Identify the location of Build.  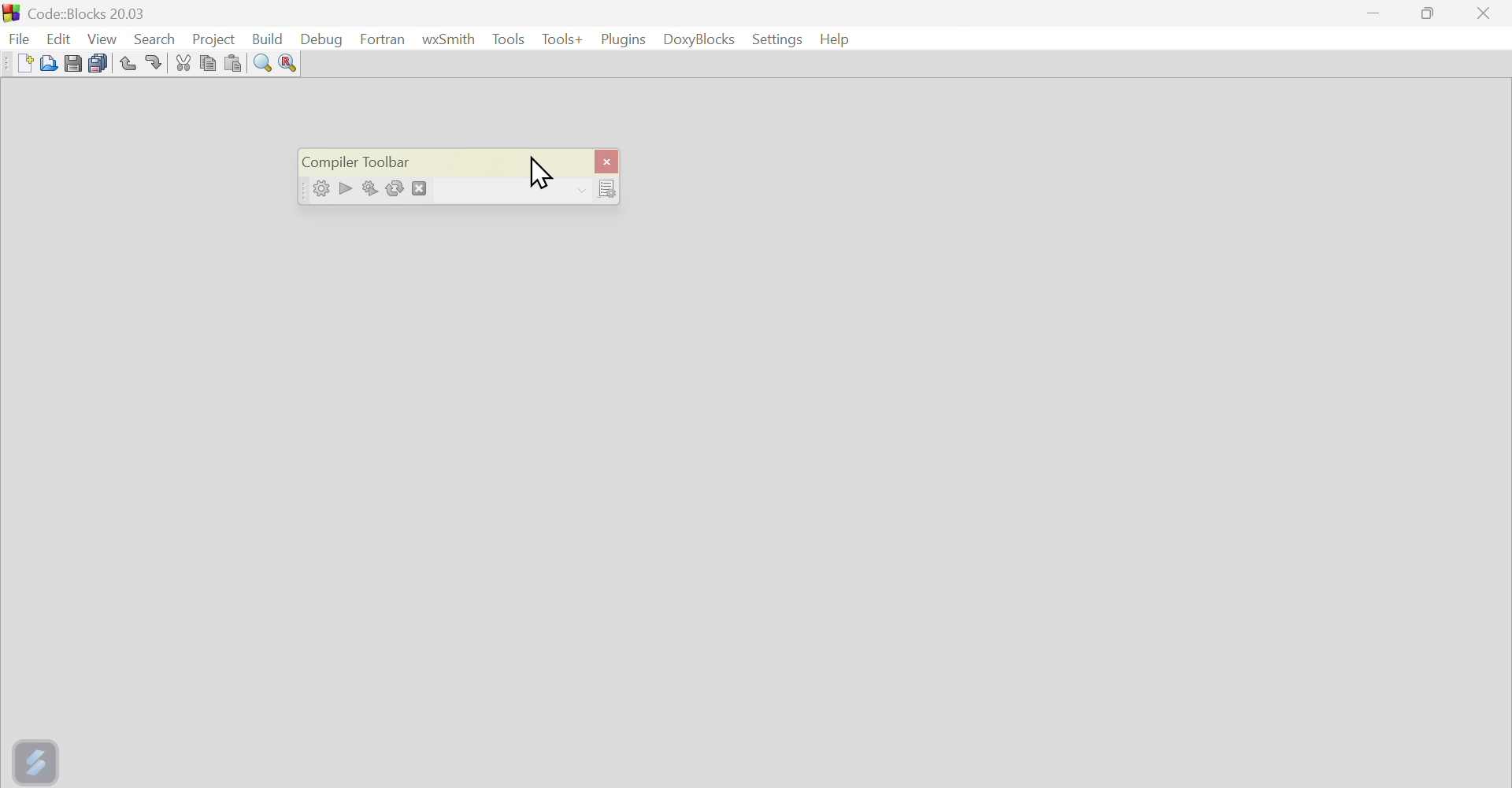
(272, 35).